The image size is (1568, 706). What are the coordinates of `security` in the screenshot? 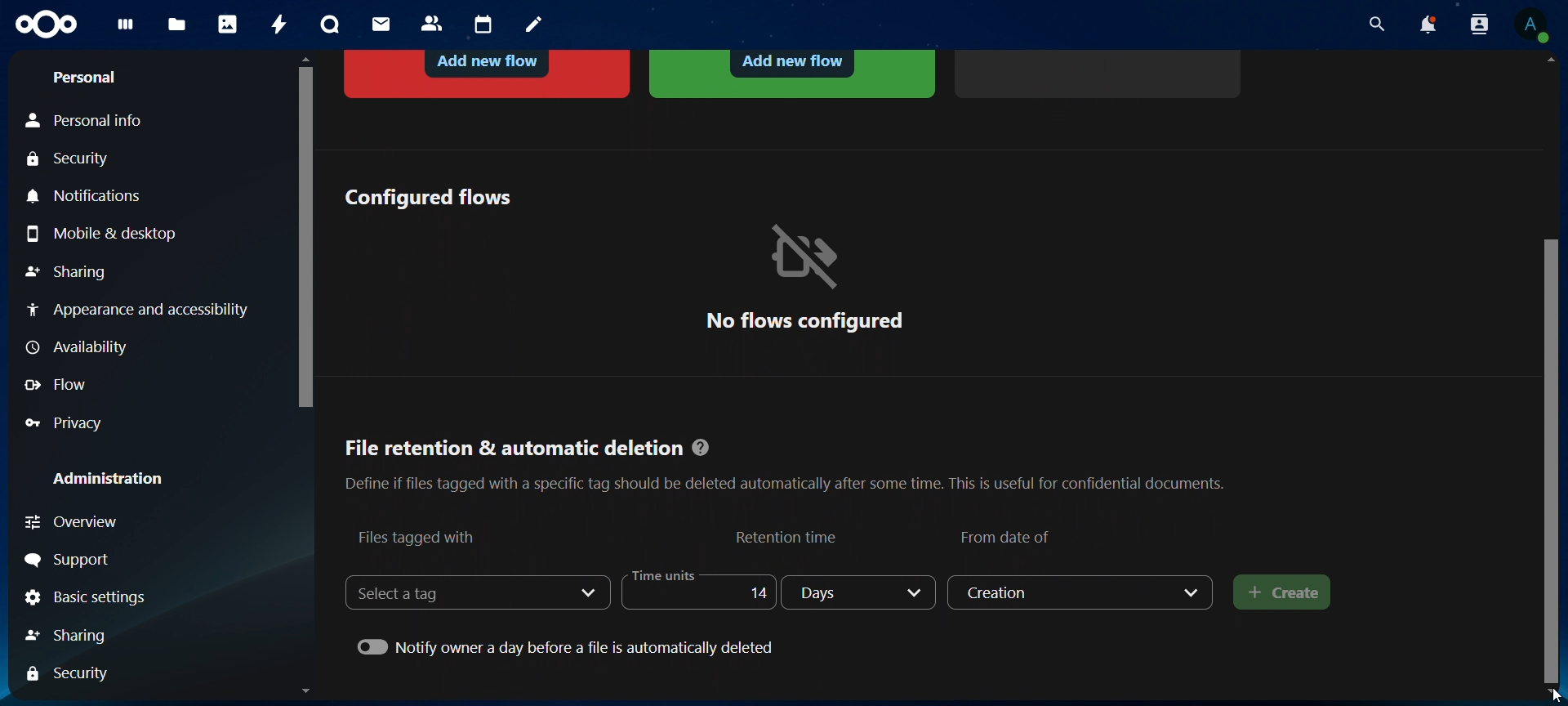 It's located at (73, 672).